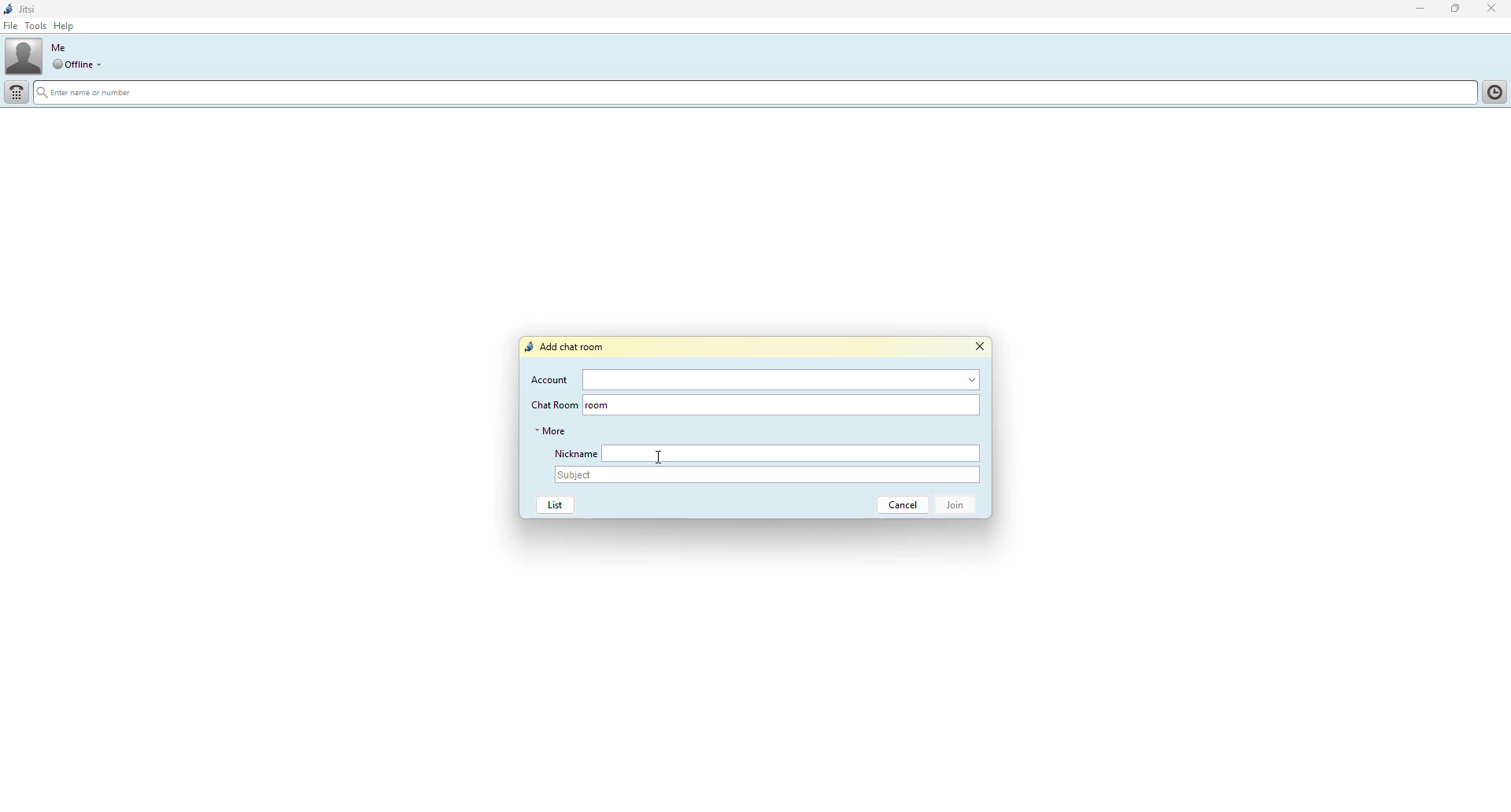  Describe the element at coordinates (35, 27) in the screenshot. I see `tools` at that location.